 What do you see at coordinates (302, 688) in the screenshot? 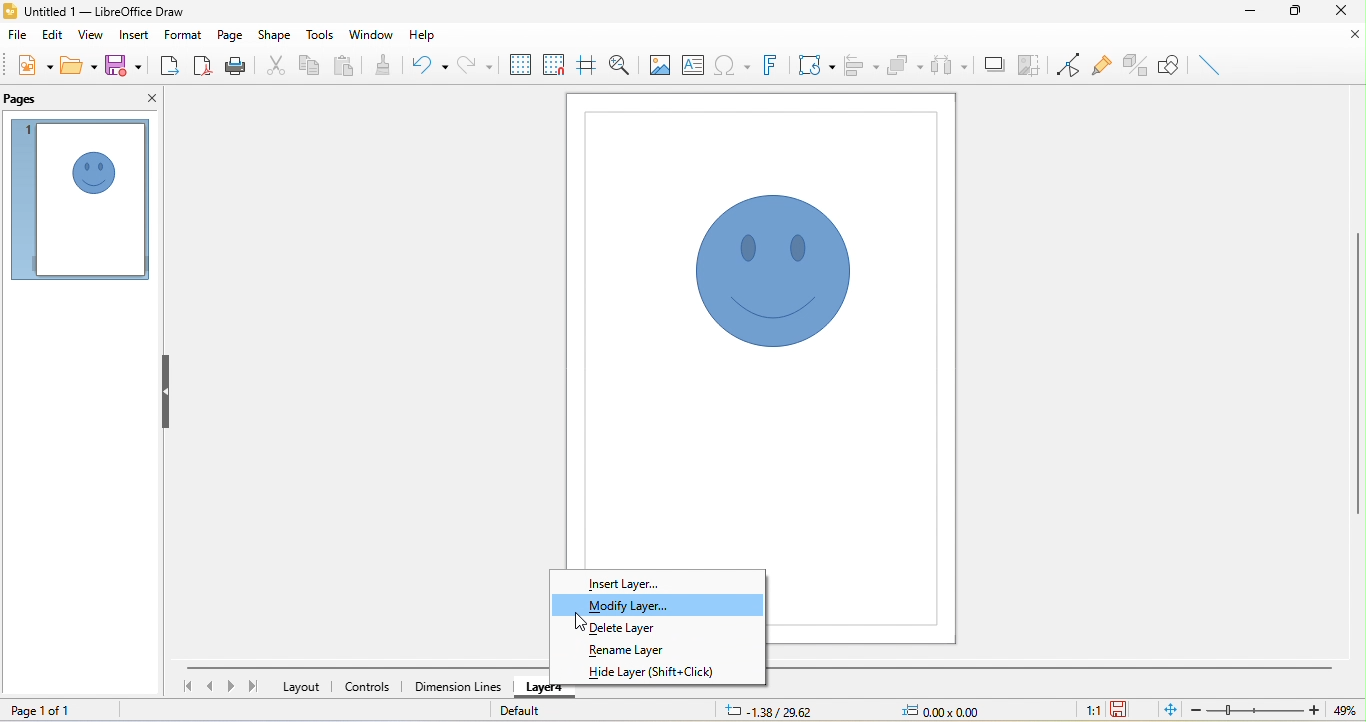
I see `layout` at bounding box center [302, 688].